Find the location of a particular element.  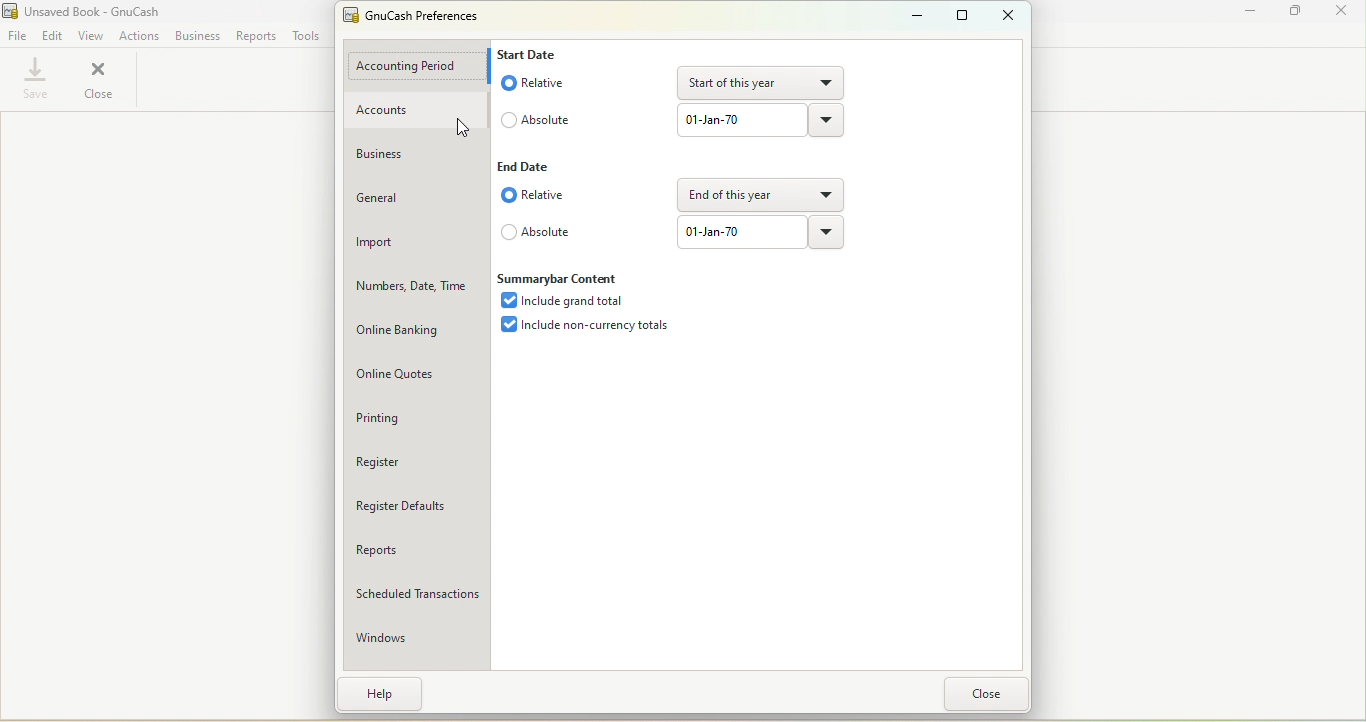

Help is located at coordinates (382, 693).